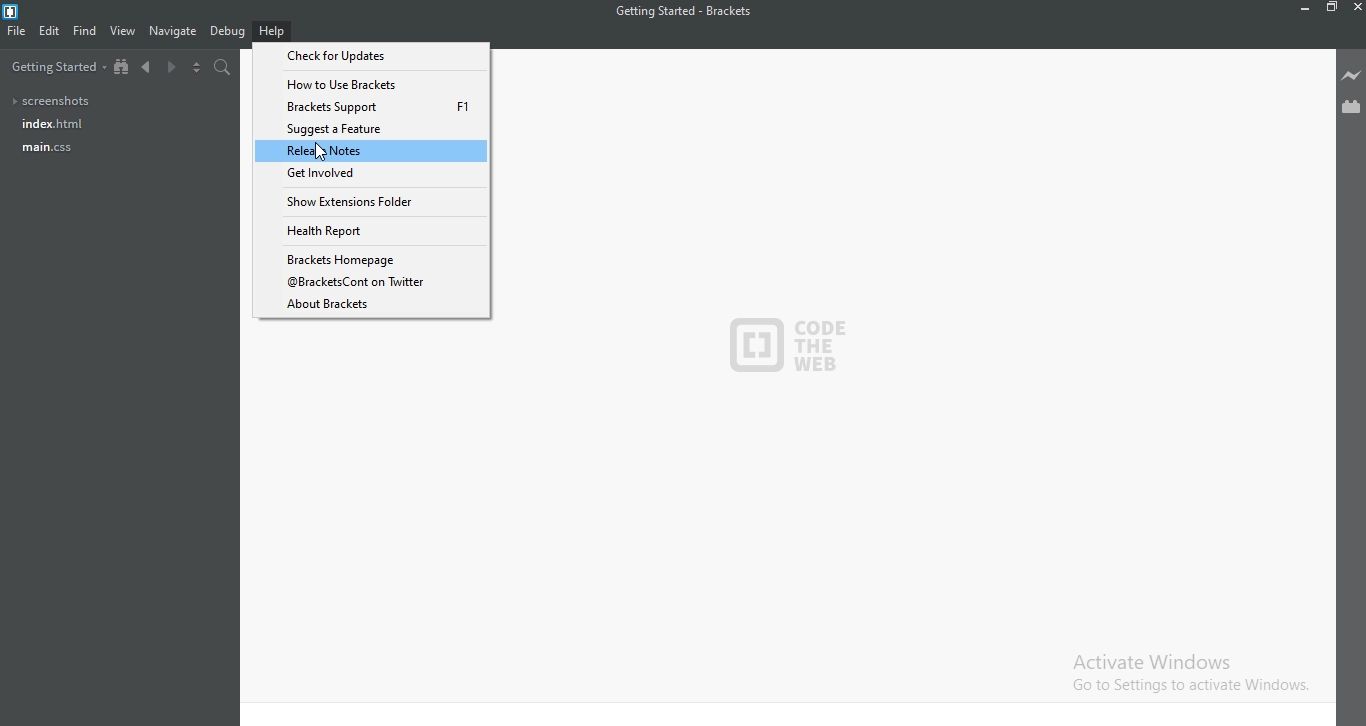 The width and height of the screenshot is (1366, 726). Describe the element at coordinates (1334, 10) in the screenshot. I see `Restore` at that location.